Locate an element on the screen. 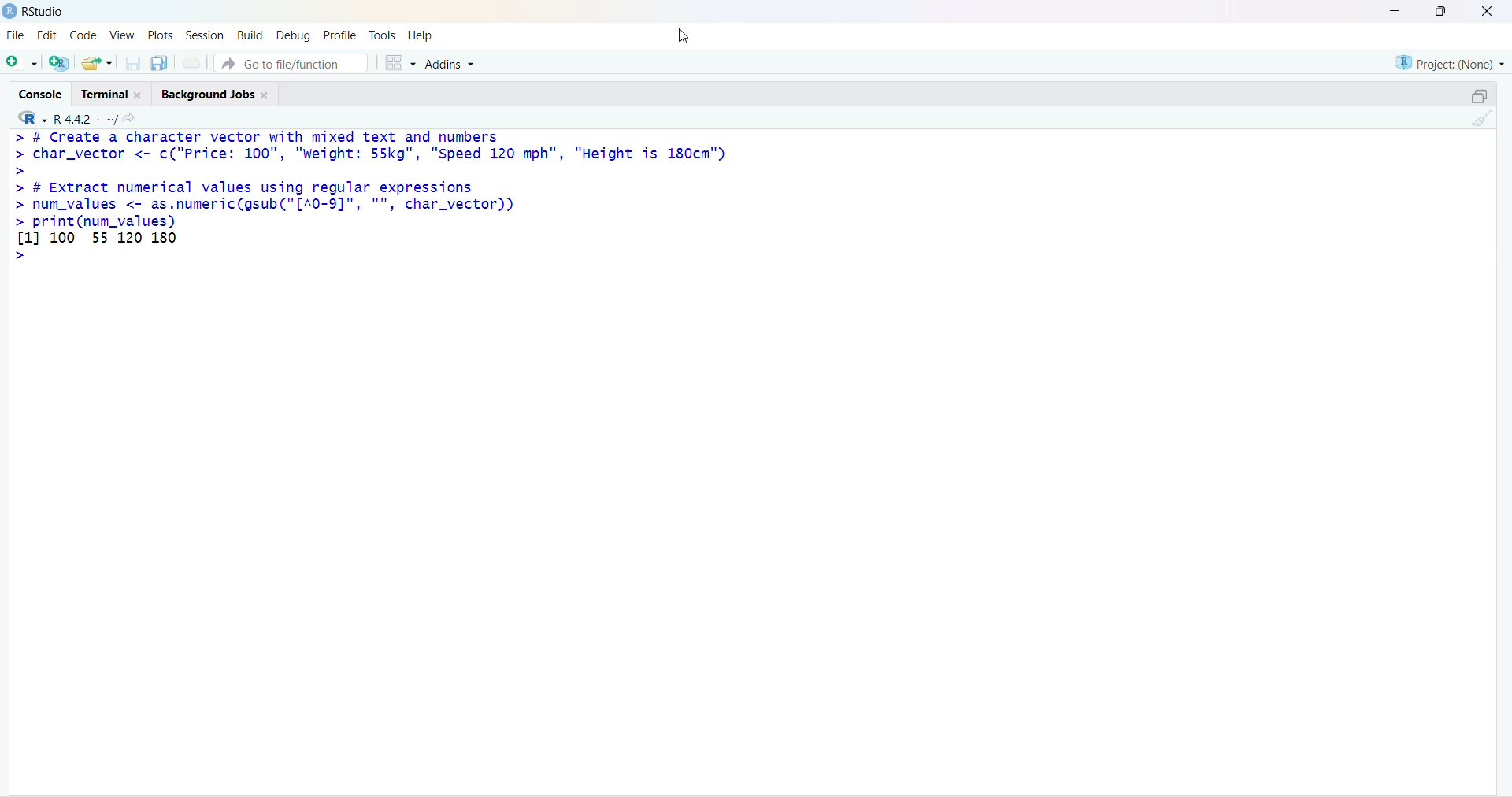 The height and width of the screenshot is (797, 1512). Go to file/function is located at coordinates (292, 63).